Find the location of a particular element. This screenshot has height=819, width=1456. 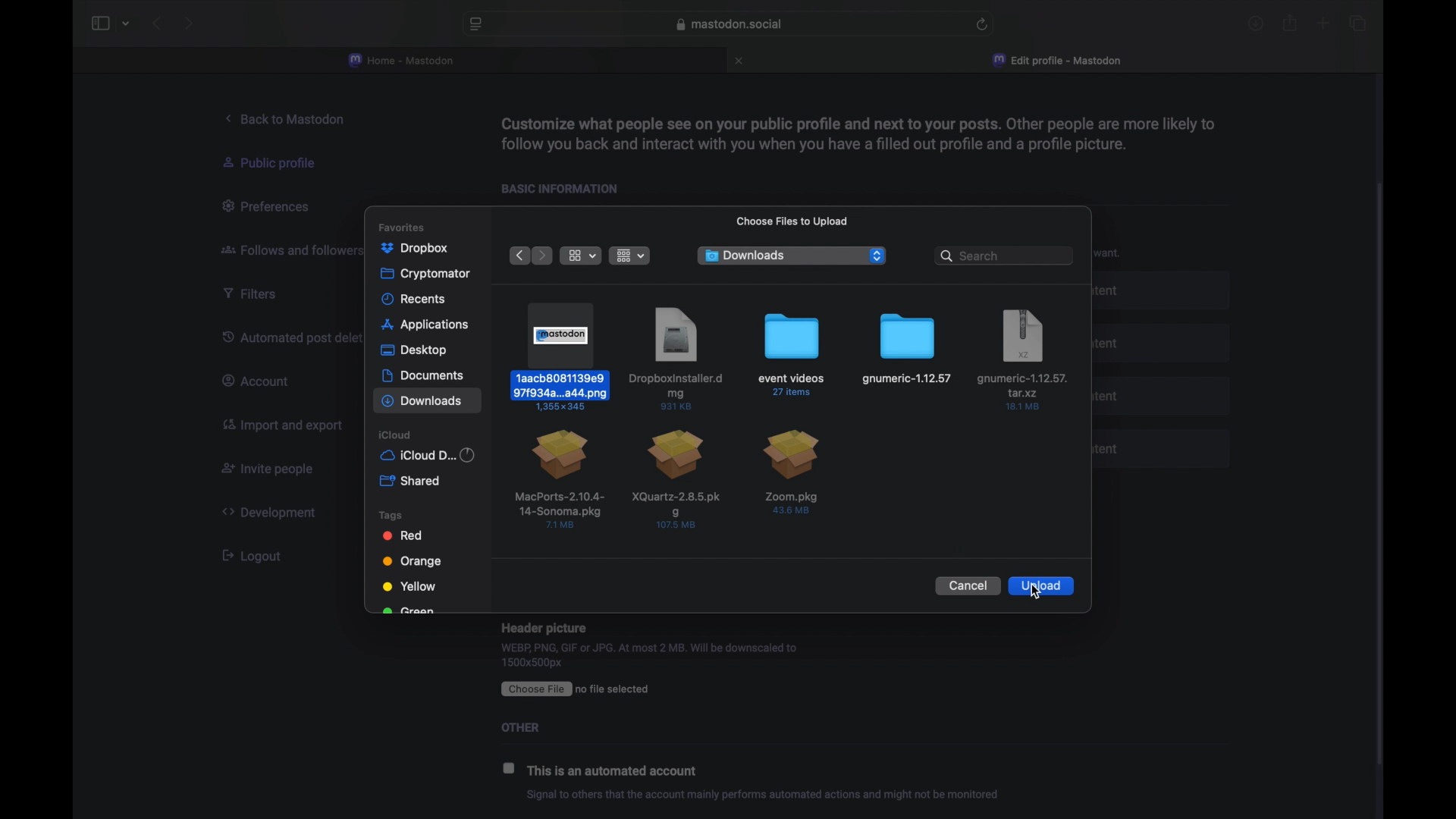

CEE ro file selected is located at coordinates (585, 688).